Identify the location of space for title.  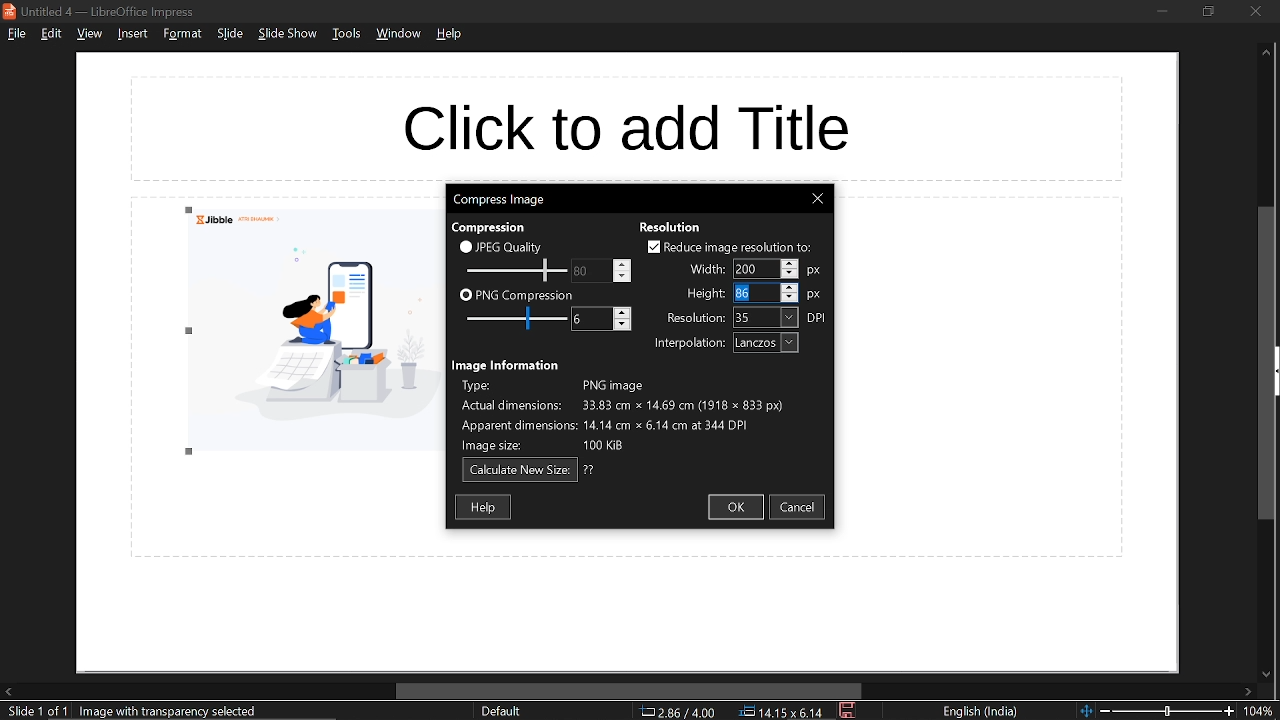
(628, 127).